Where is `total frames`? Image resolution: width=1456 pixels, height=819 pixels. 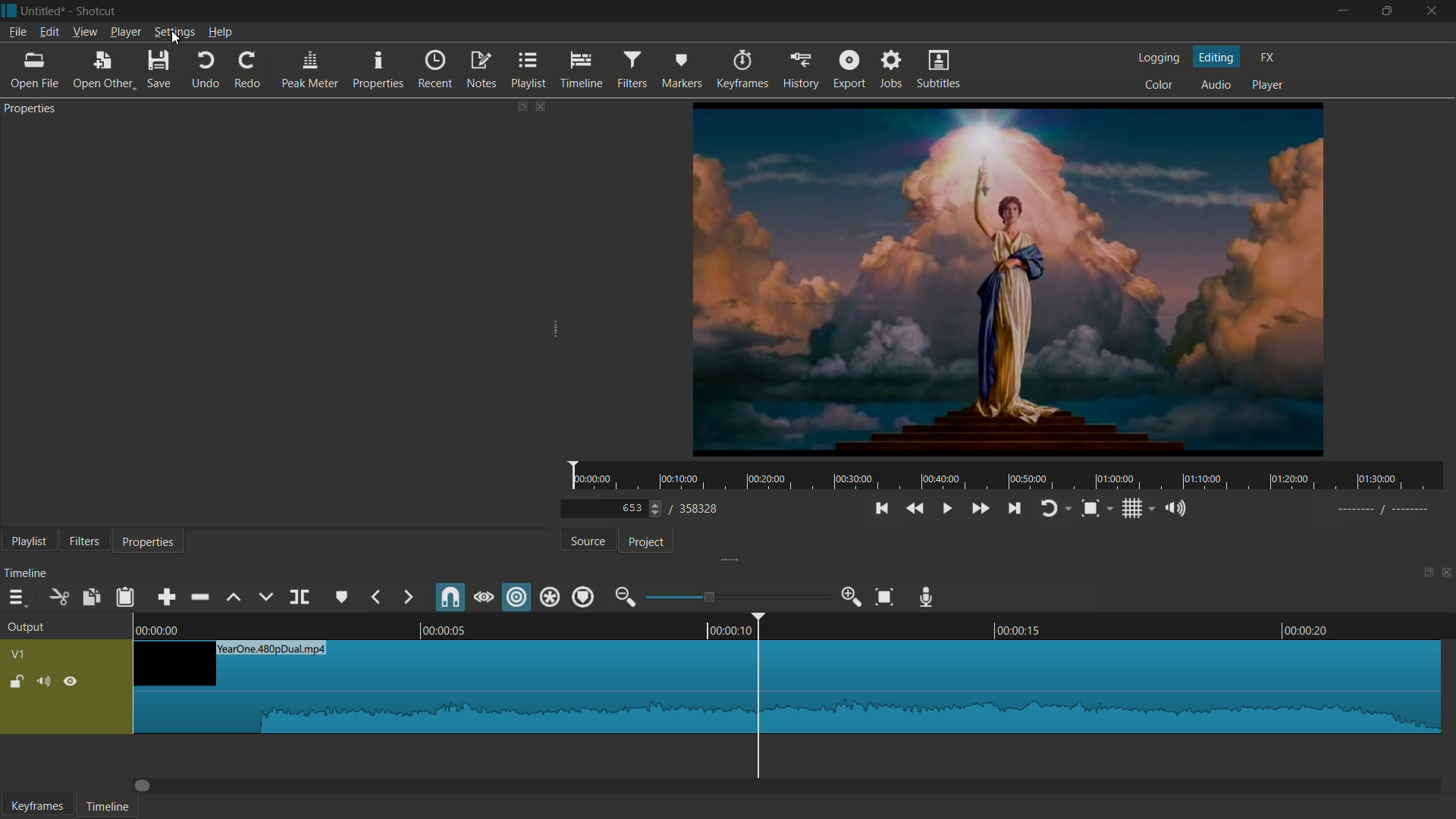
total frames is located at coordinates (699, 508).